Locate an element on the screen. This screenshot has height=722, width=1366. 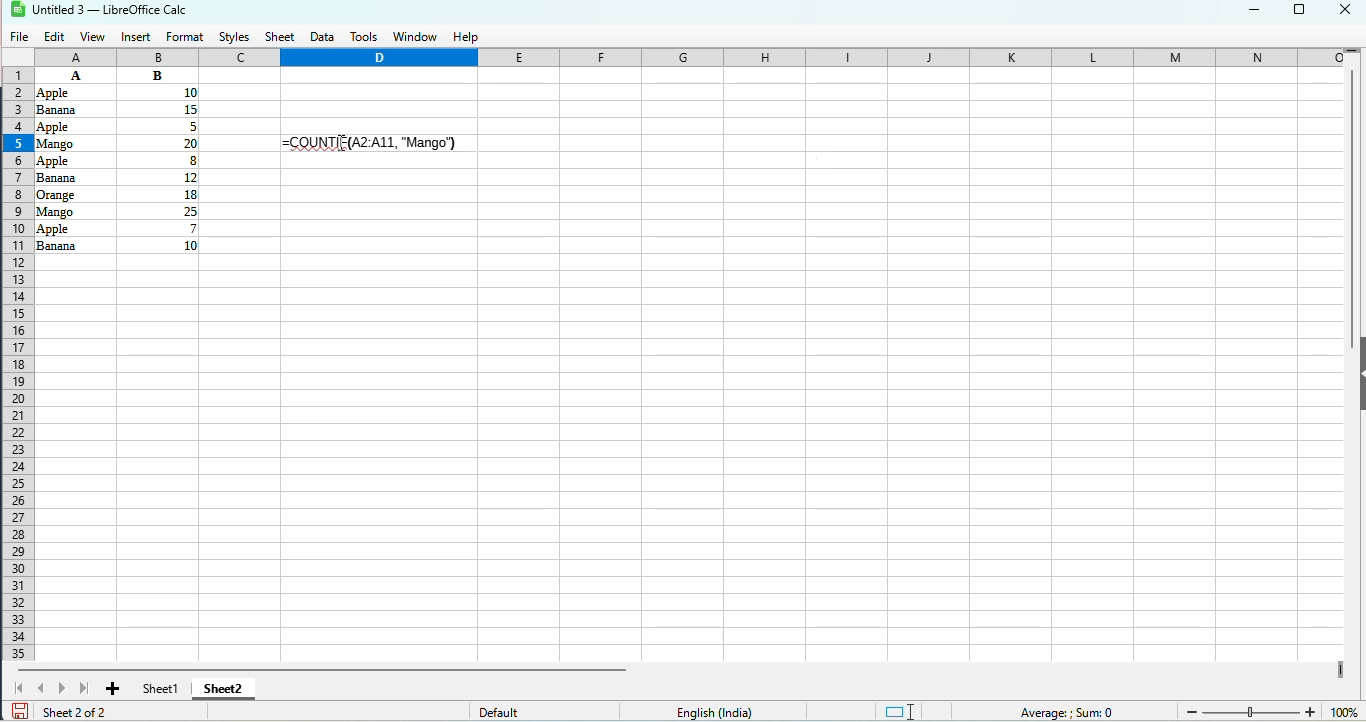
insert is located at coordinates (135, 37).